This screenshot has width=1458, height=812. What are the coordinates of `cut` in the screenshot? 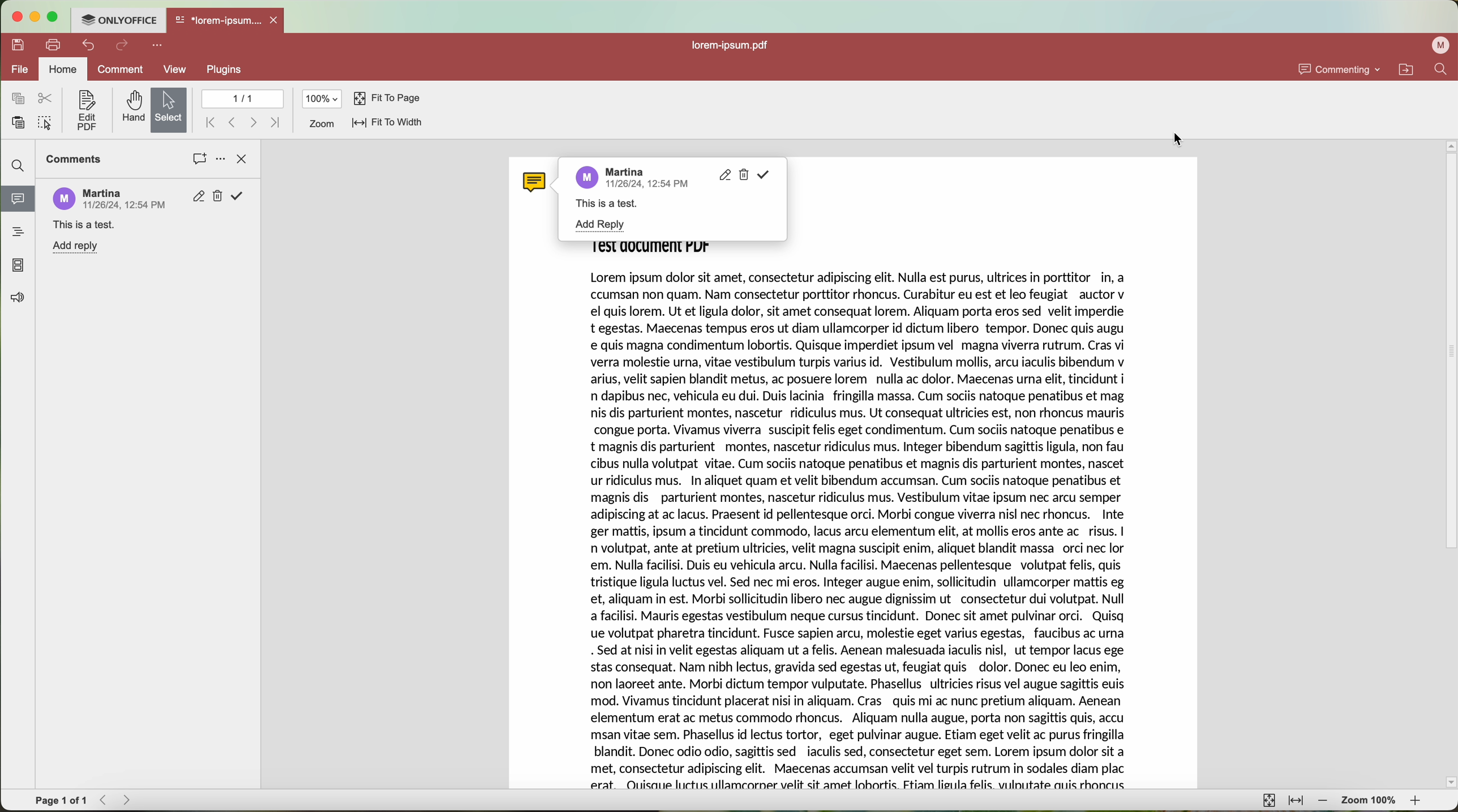 It's located at (48, 98).